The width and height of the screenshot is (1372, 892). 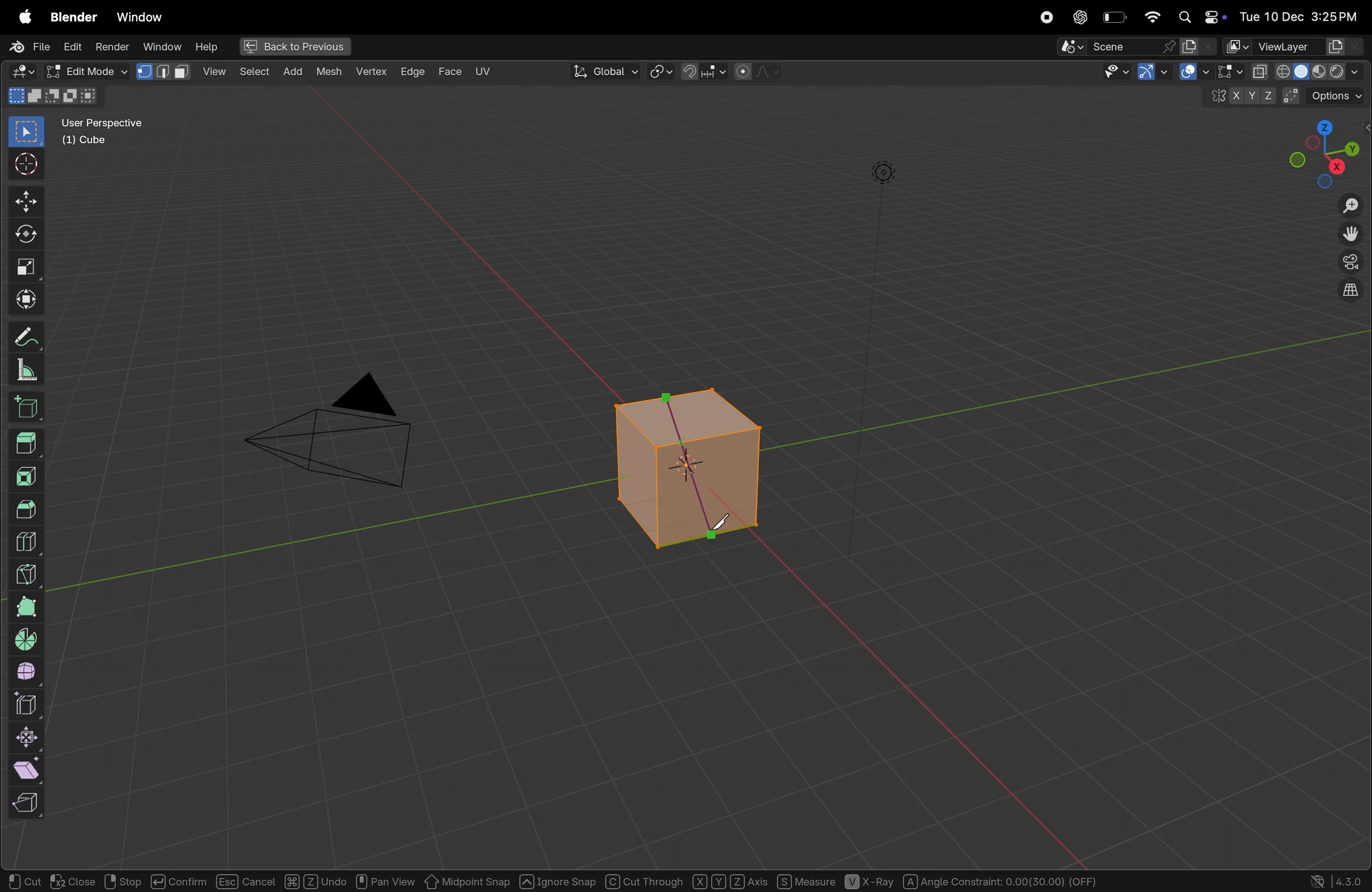 What do you see at coordinates (1224, 72) in the screenshot?
I see `show overlays` at bounding box center [1224, 72].